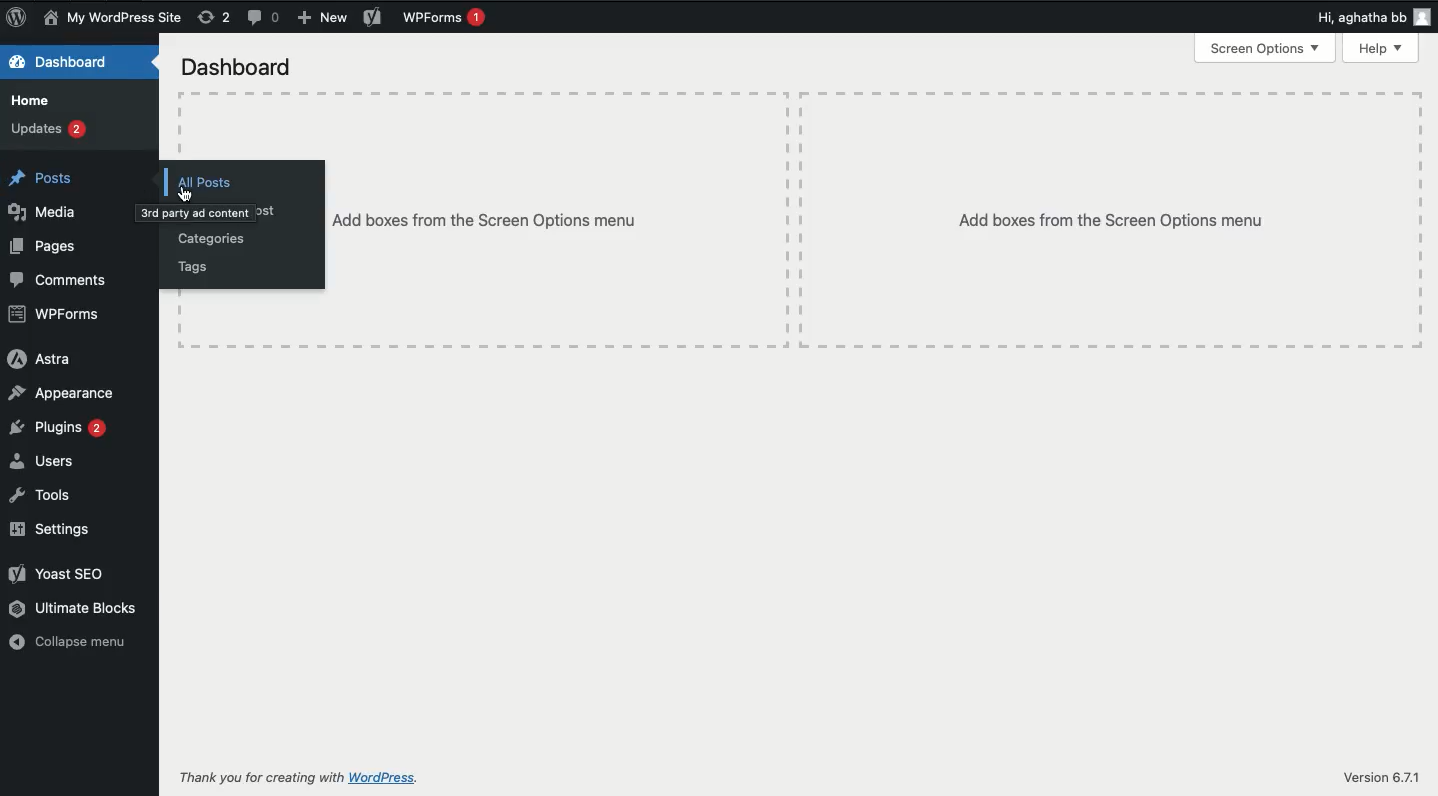 This screenshot has width=1438, height=796. I want to click on Home, so click(29, 102).